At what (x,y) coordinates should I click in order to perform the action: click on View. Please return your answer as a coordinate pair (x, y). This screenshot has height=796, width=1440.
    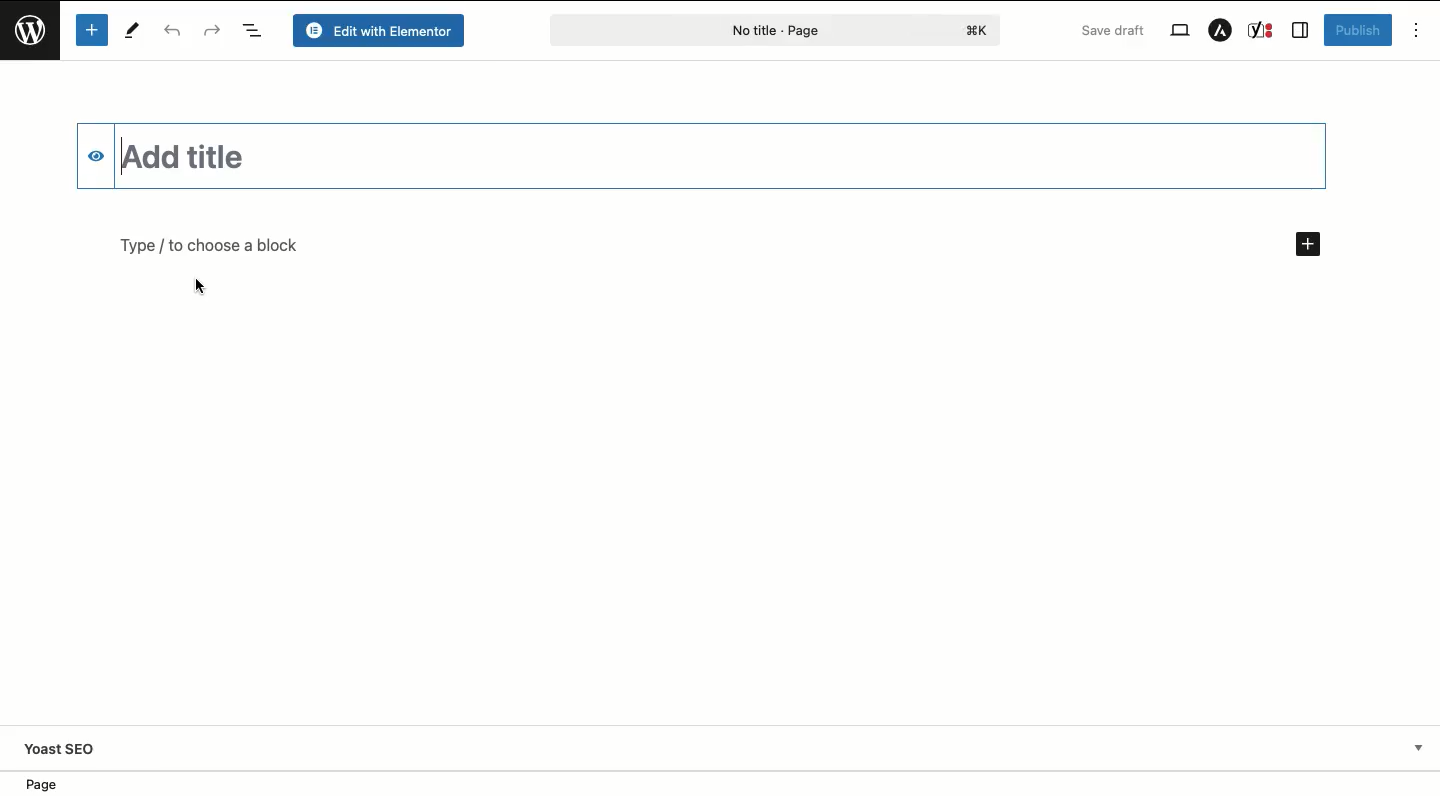
    Looking at the image, I should click on (1178, 29).